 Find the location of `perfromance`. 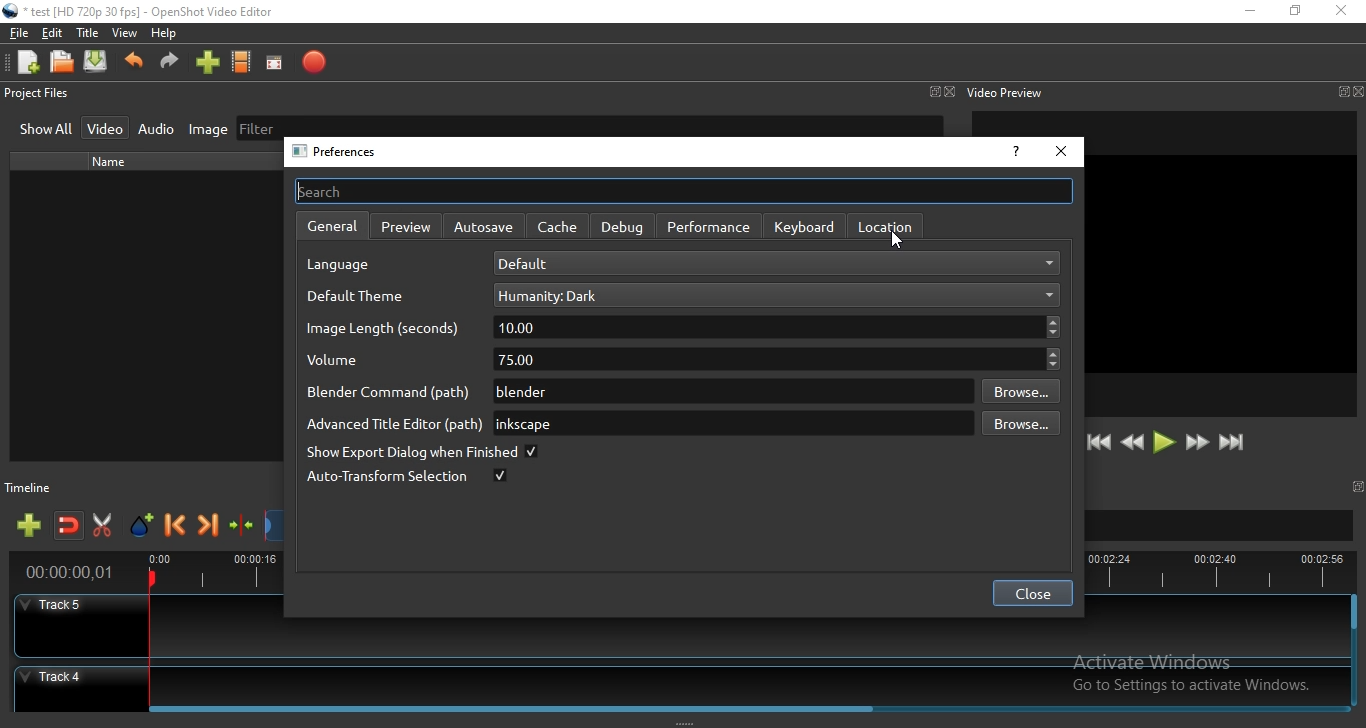

perfromance is located at coordinates (709, 227).